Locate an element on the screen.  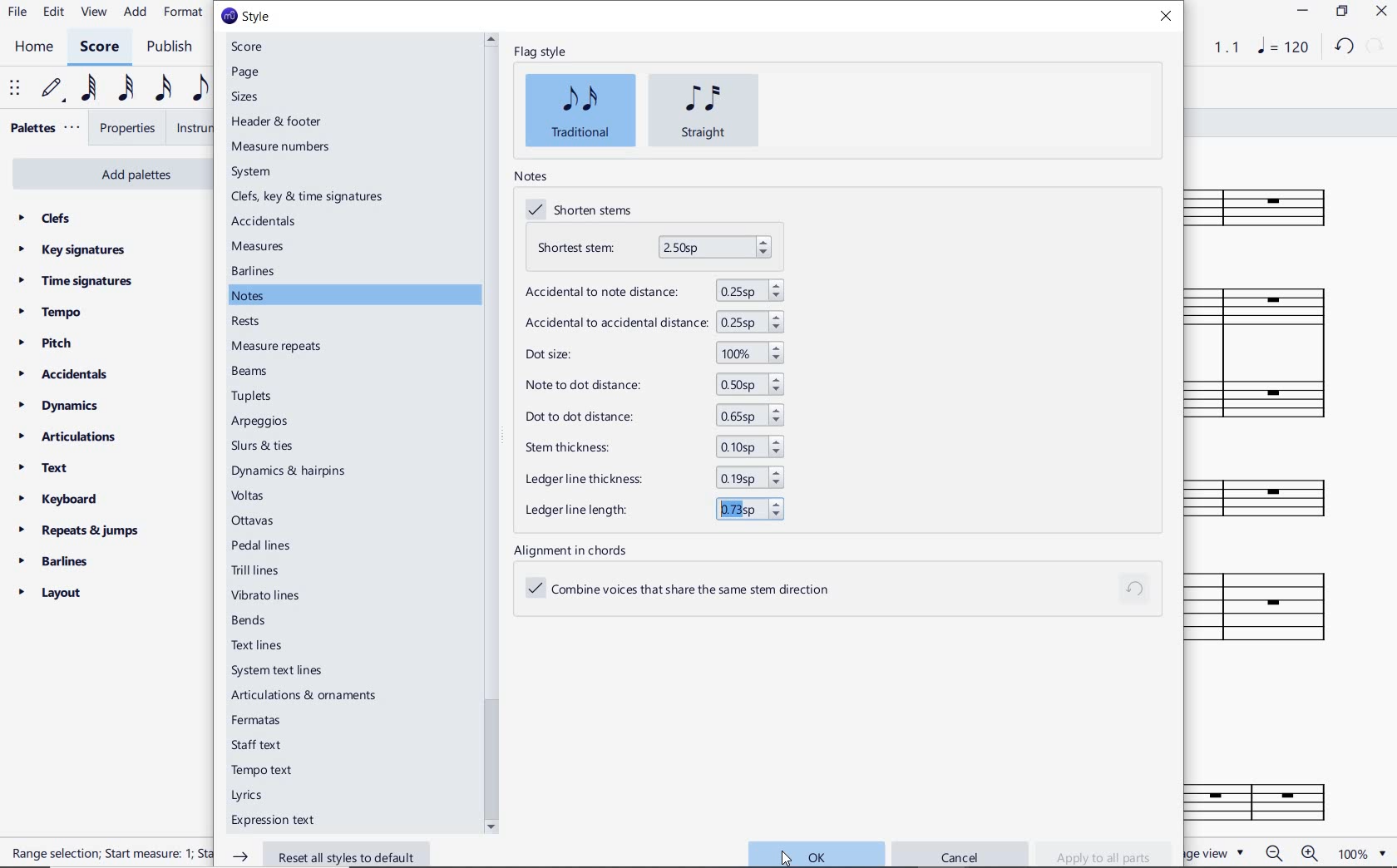
select to move is located at coordinates (13, 89).